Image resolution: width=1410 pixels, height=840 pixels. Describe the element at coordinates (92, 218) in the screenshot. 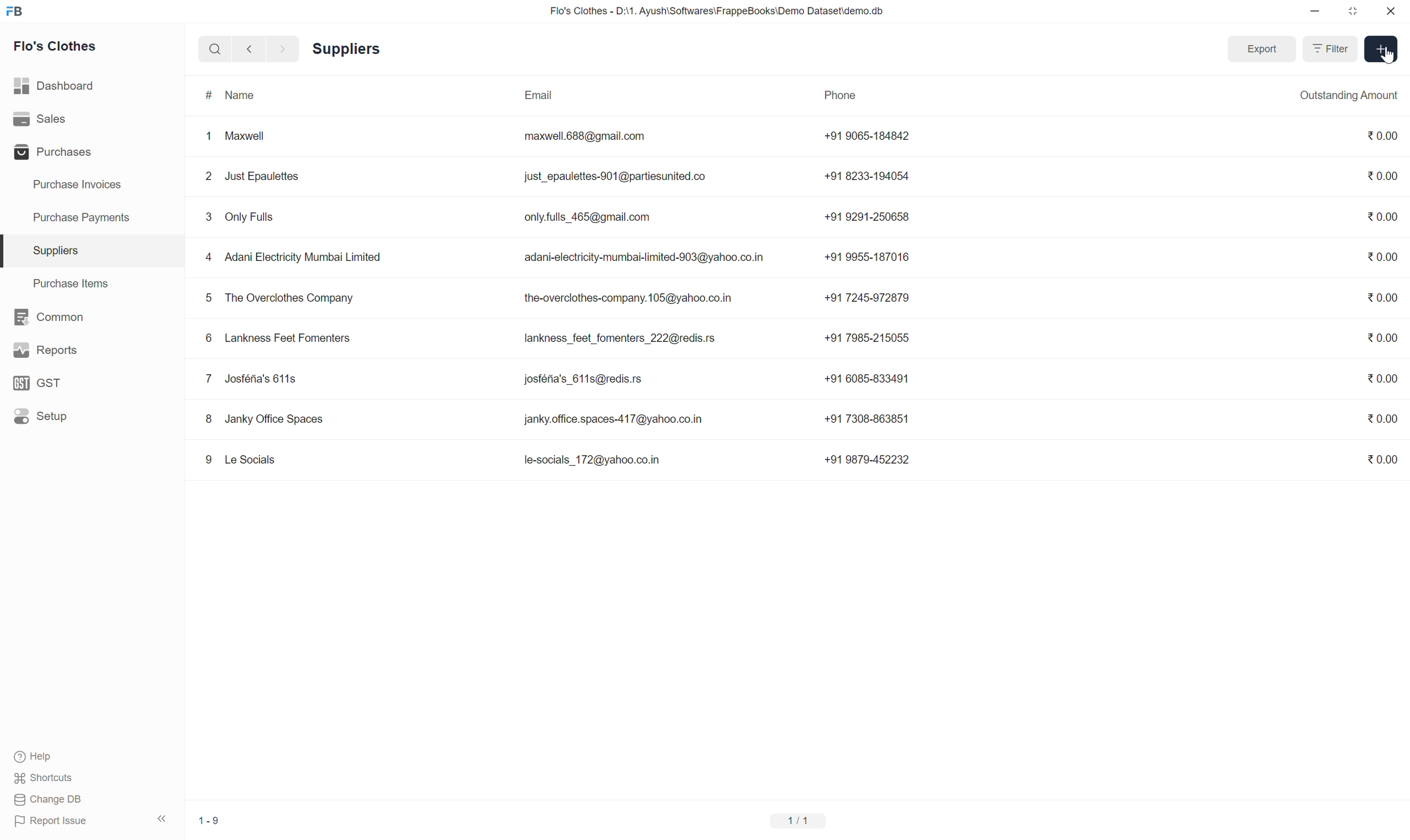

I see `Purchase Payments` at that location.